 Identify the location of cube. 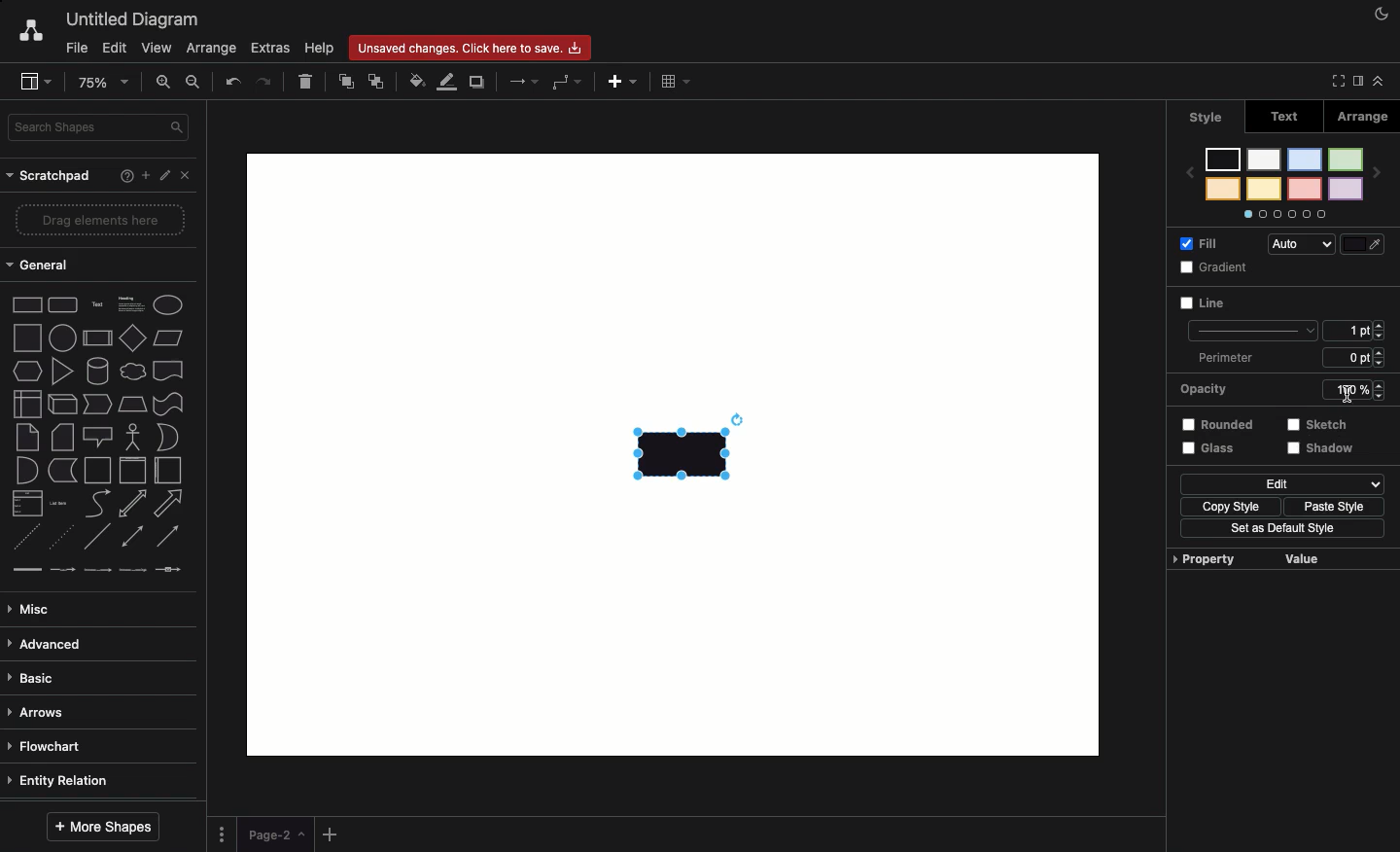
(59, 403).